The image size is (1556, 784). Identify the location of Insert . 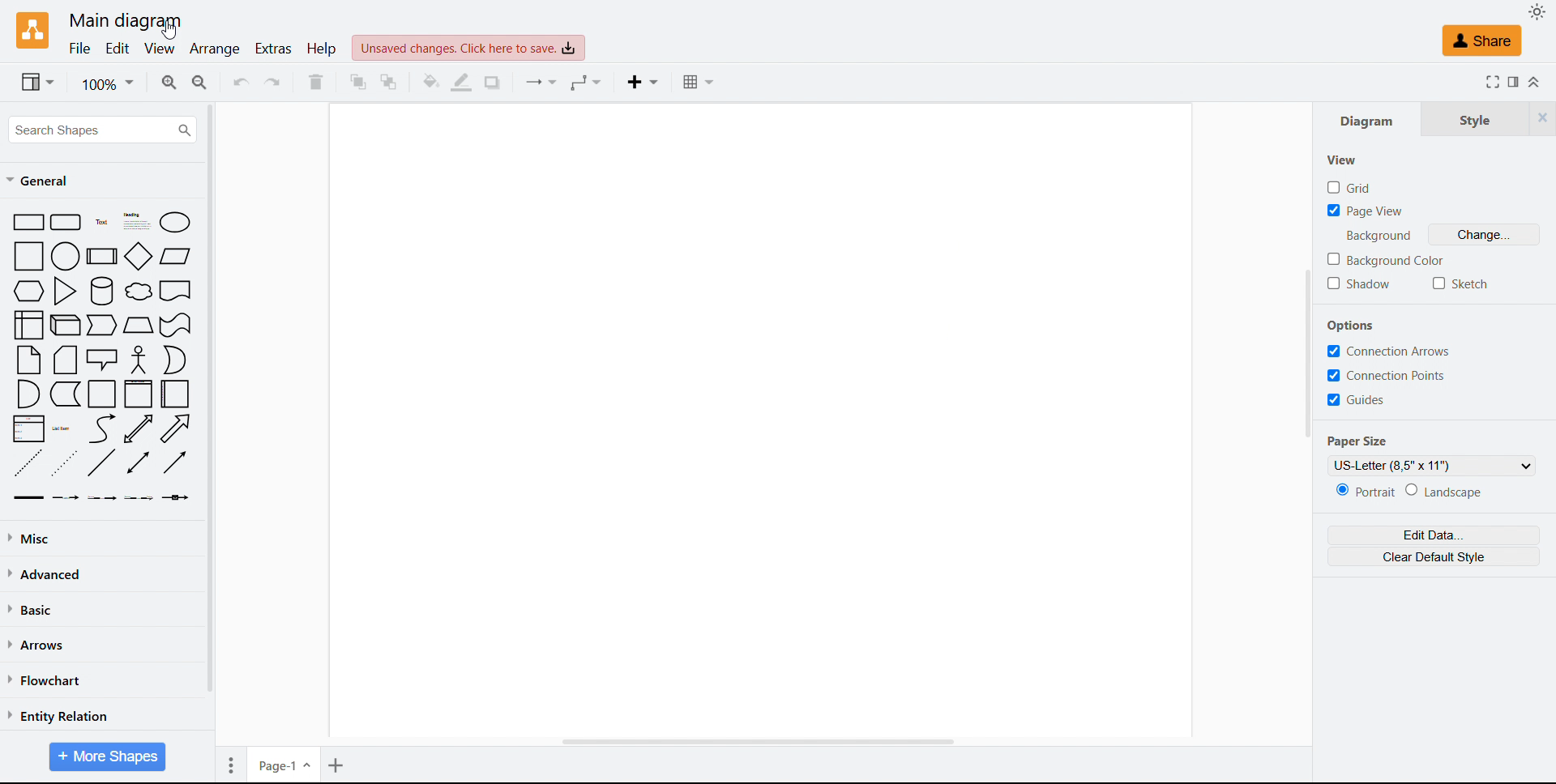
(641, 82).